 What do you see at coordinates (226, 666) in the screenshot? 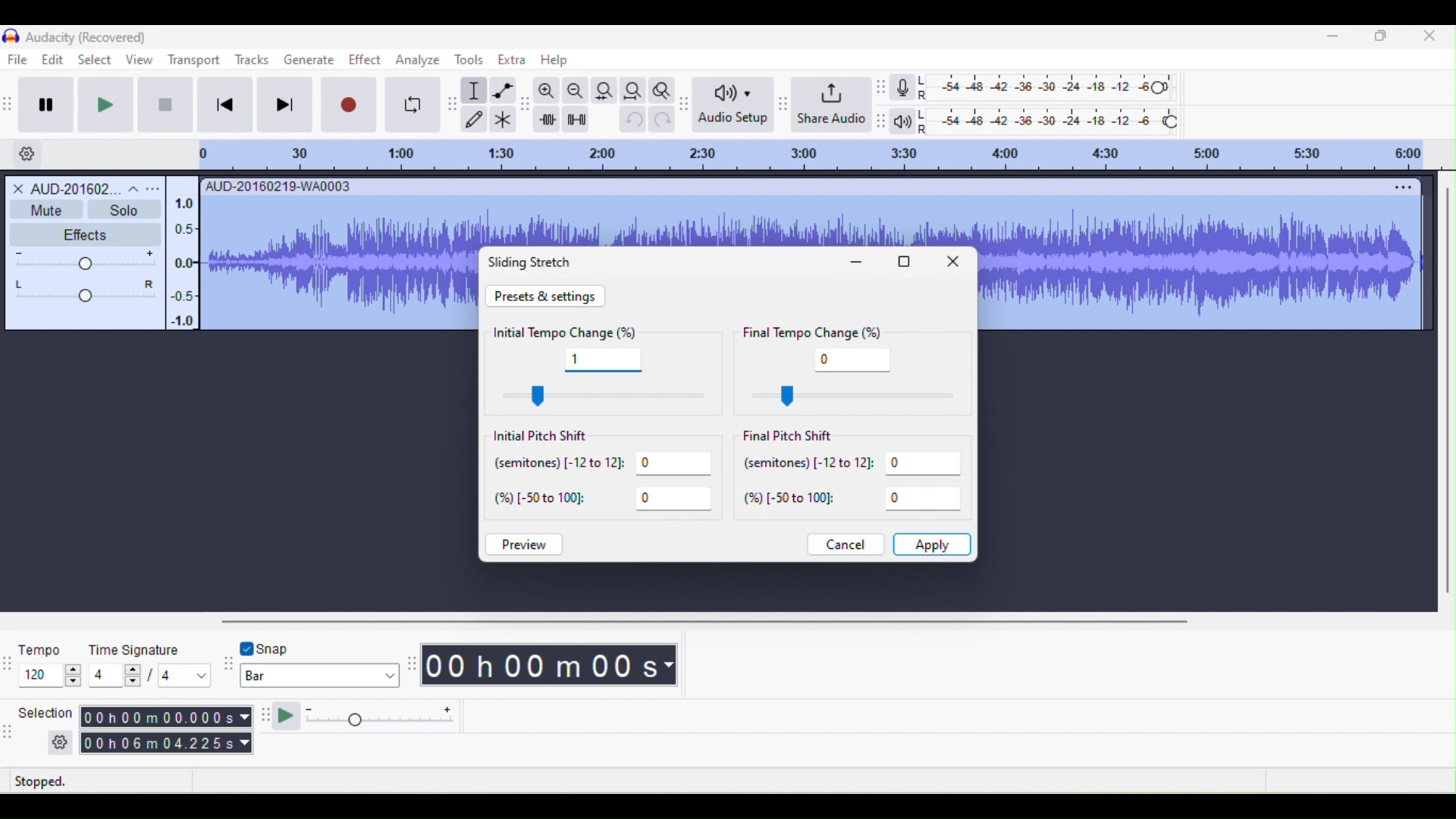
I see `audacity snapping toolbar` at bounding box center [226, 666].